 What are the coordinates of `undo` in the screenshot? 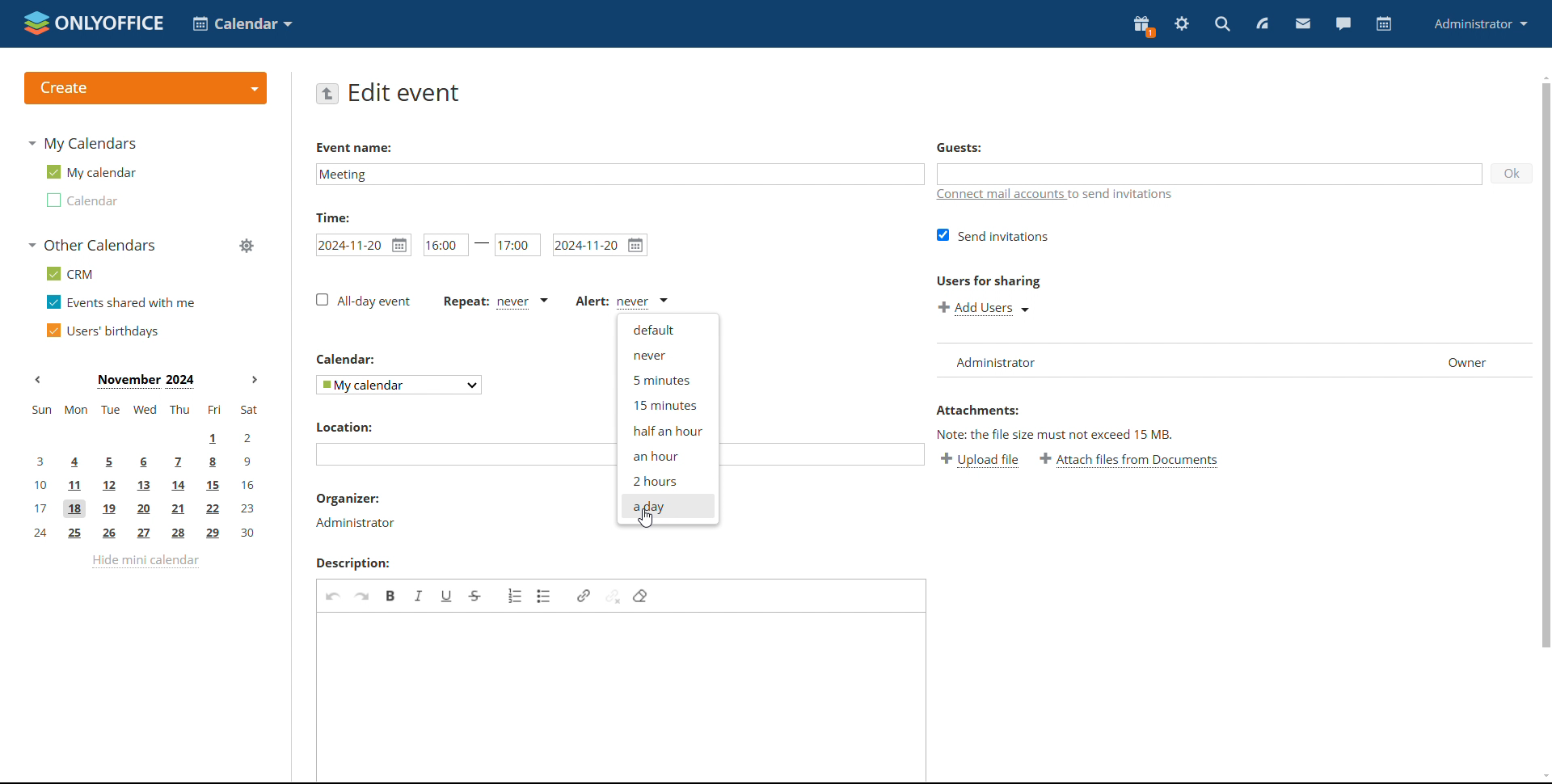 It's located at (333, 594).